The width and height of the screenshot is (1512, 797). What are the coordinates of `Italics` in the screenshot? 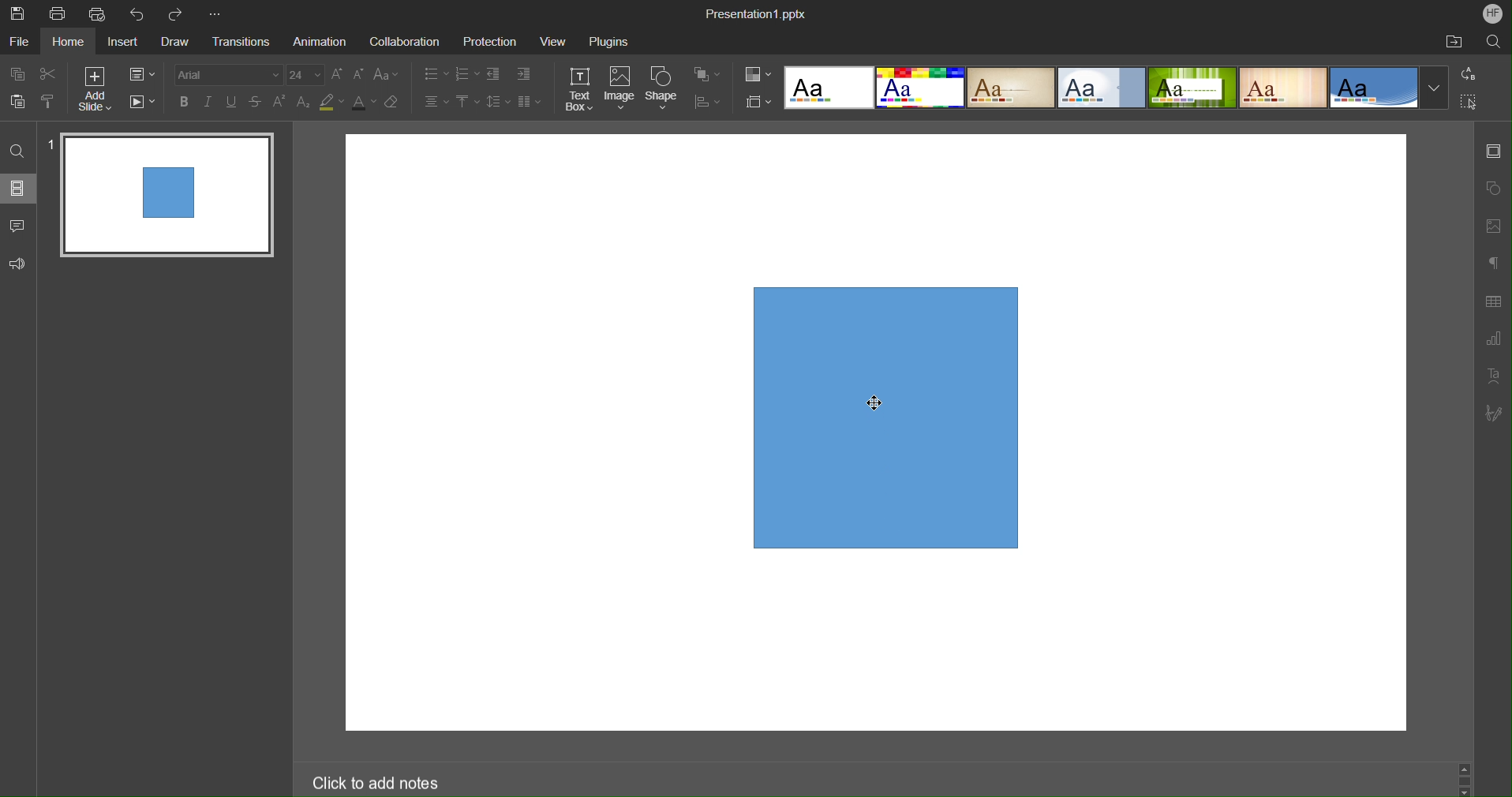 It's located at (208, 102).